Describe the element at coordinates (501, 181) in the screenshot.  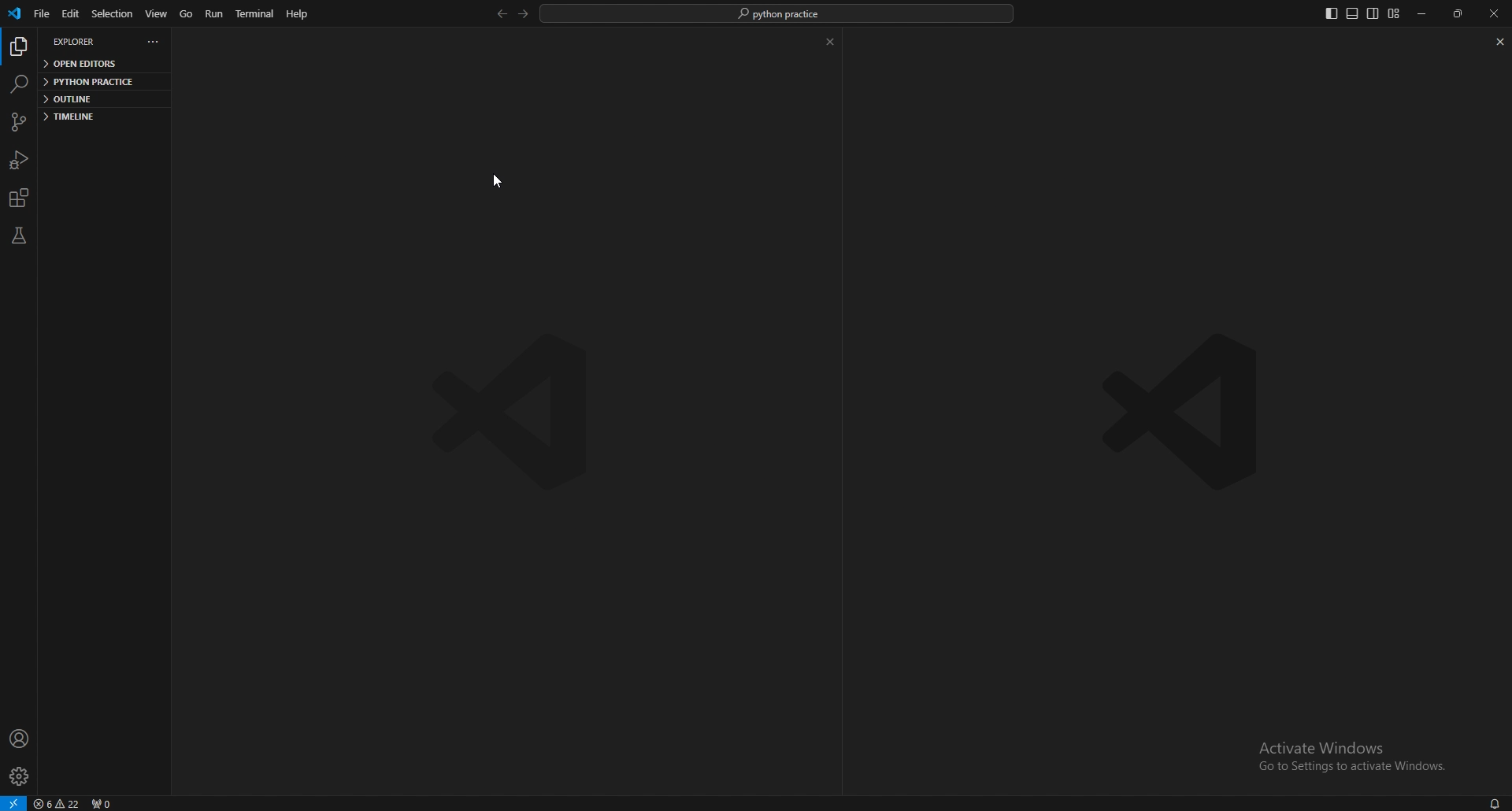
I see `cursor` at that location.